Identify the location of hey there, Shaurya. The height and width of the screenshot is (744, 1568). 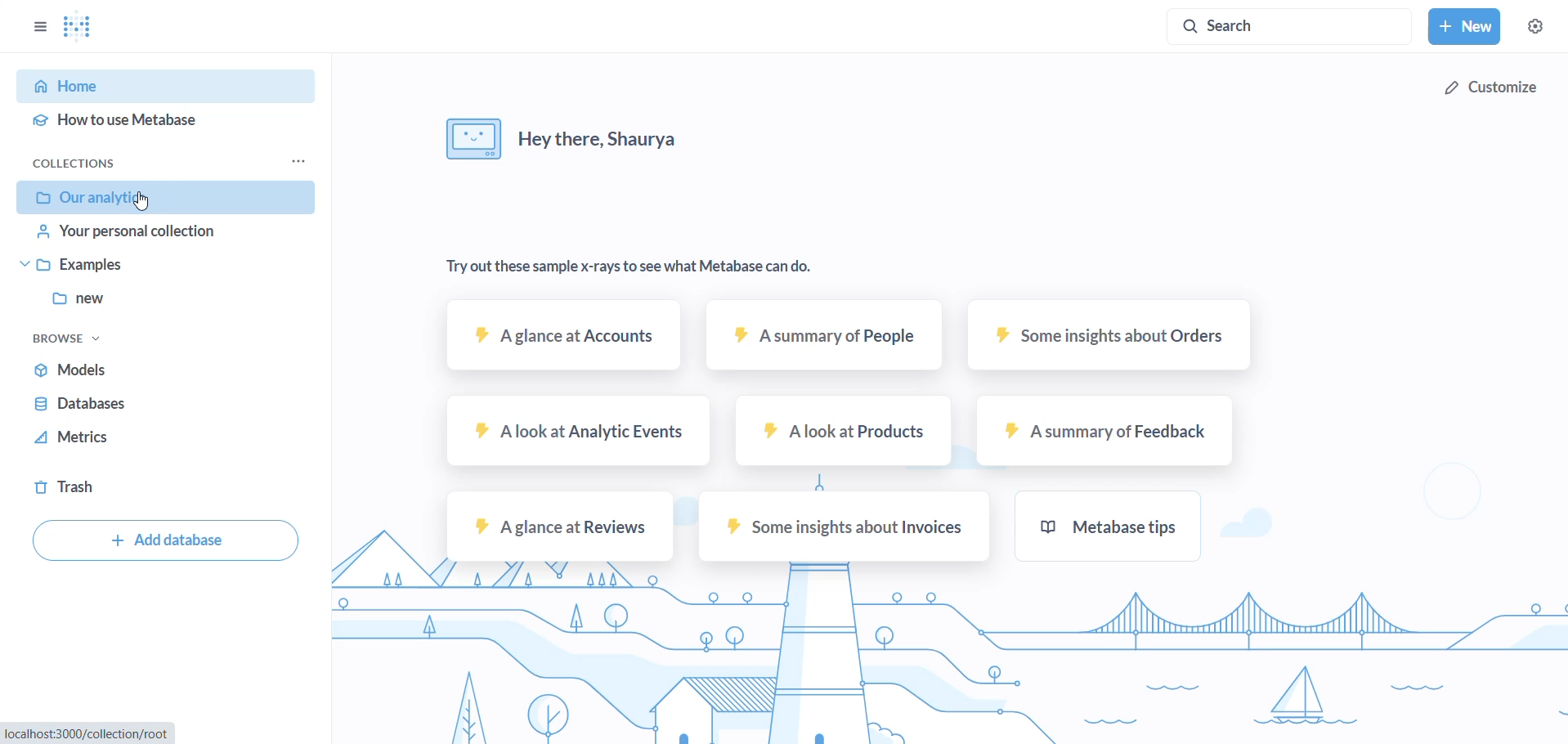
(584, 141).